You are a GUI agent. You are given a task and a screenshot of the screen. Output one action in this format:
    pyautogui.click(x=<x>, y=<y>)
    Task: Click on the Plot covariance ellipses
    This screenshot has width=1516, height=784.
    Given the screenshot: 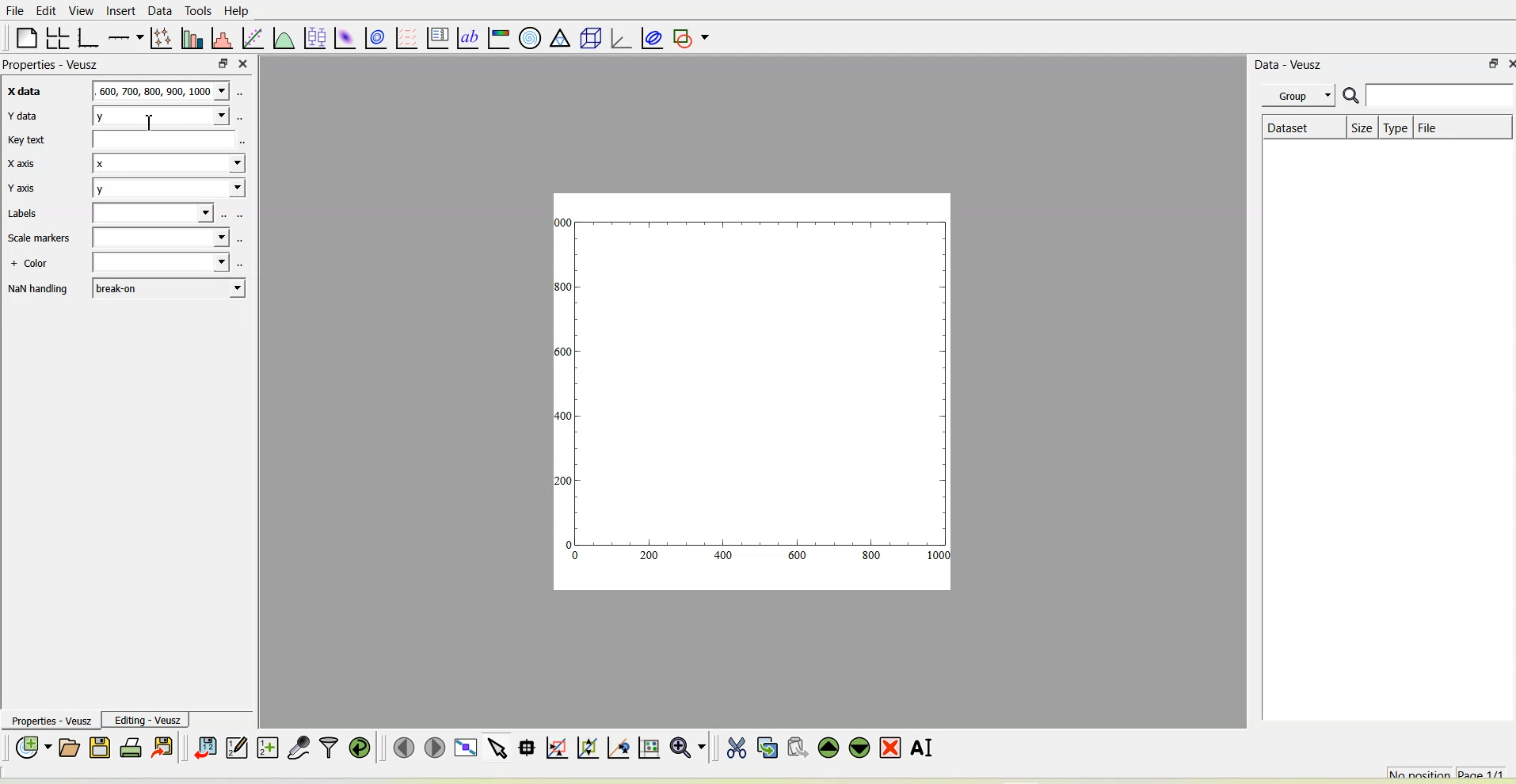 What is the action you would take?
    pyautogui.click(x=650, y=36)
    